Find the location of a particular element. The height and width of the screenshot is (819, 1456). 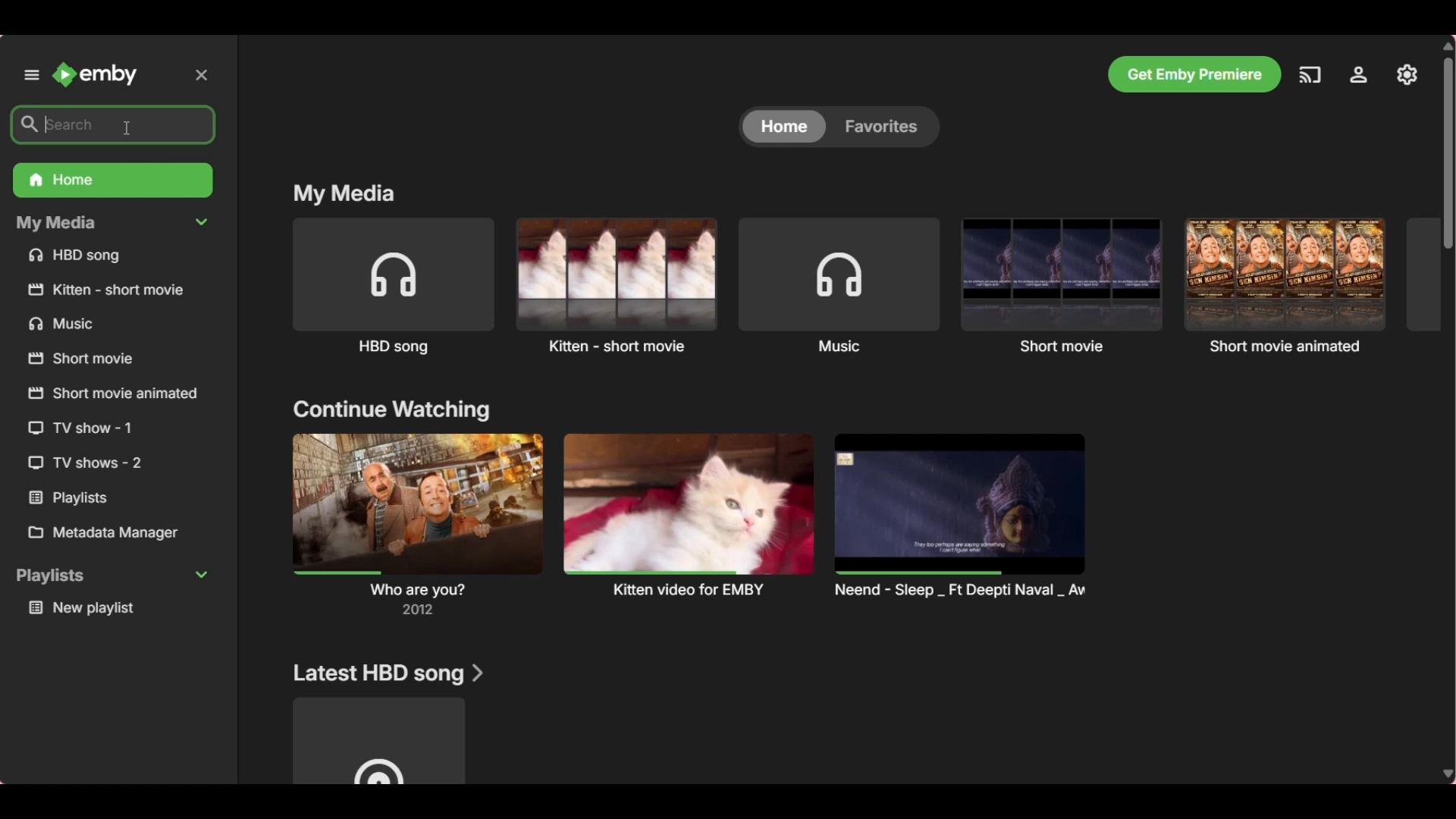

Kitten short movie is located at coordinates (616, 285).